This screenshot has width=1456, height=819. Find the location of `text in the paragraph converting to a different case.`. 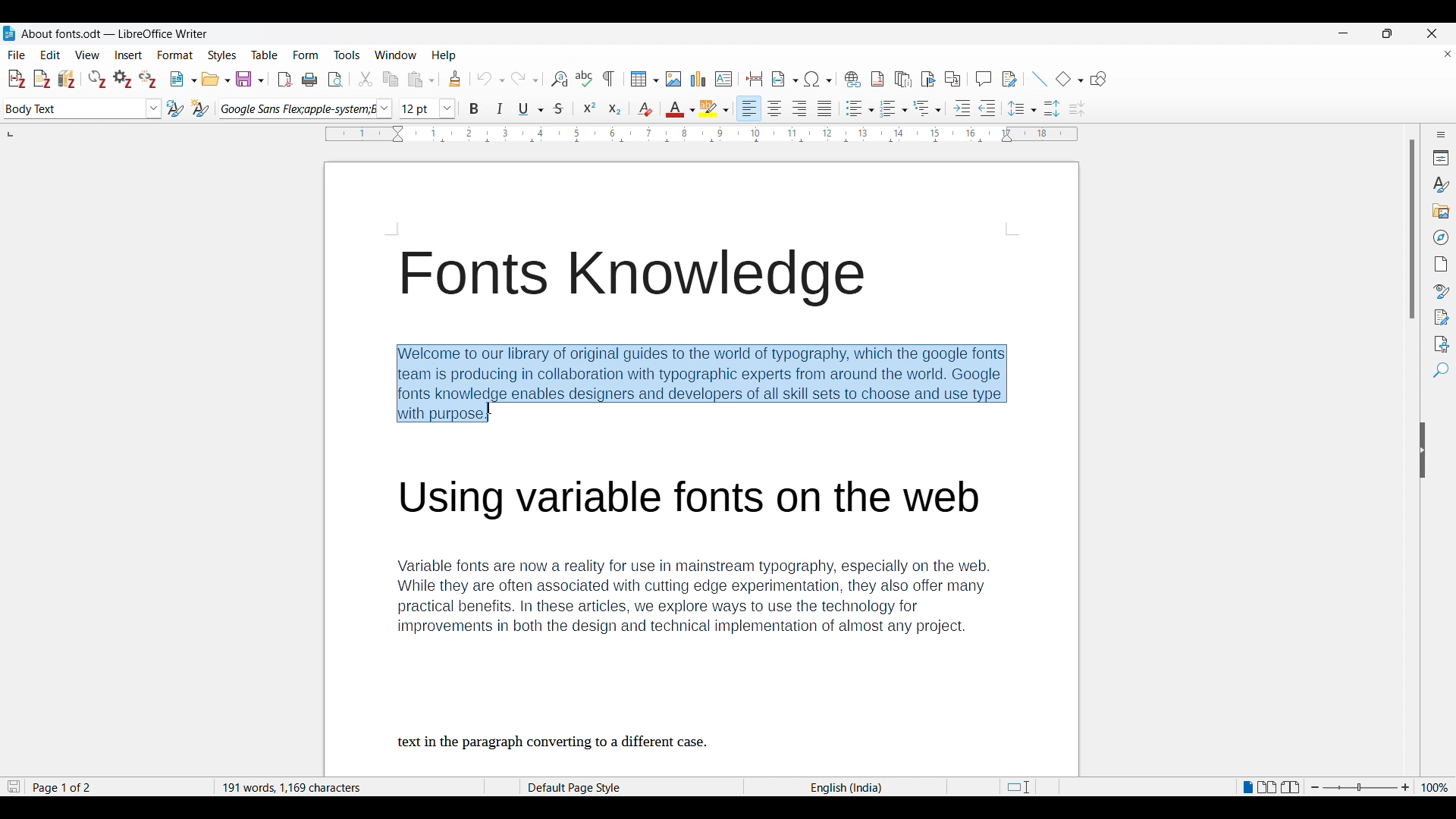

text in the paragraph converting to a different case. is located at coordinates (555, 742).